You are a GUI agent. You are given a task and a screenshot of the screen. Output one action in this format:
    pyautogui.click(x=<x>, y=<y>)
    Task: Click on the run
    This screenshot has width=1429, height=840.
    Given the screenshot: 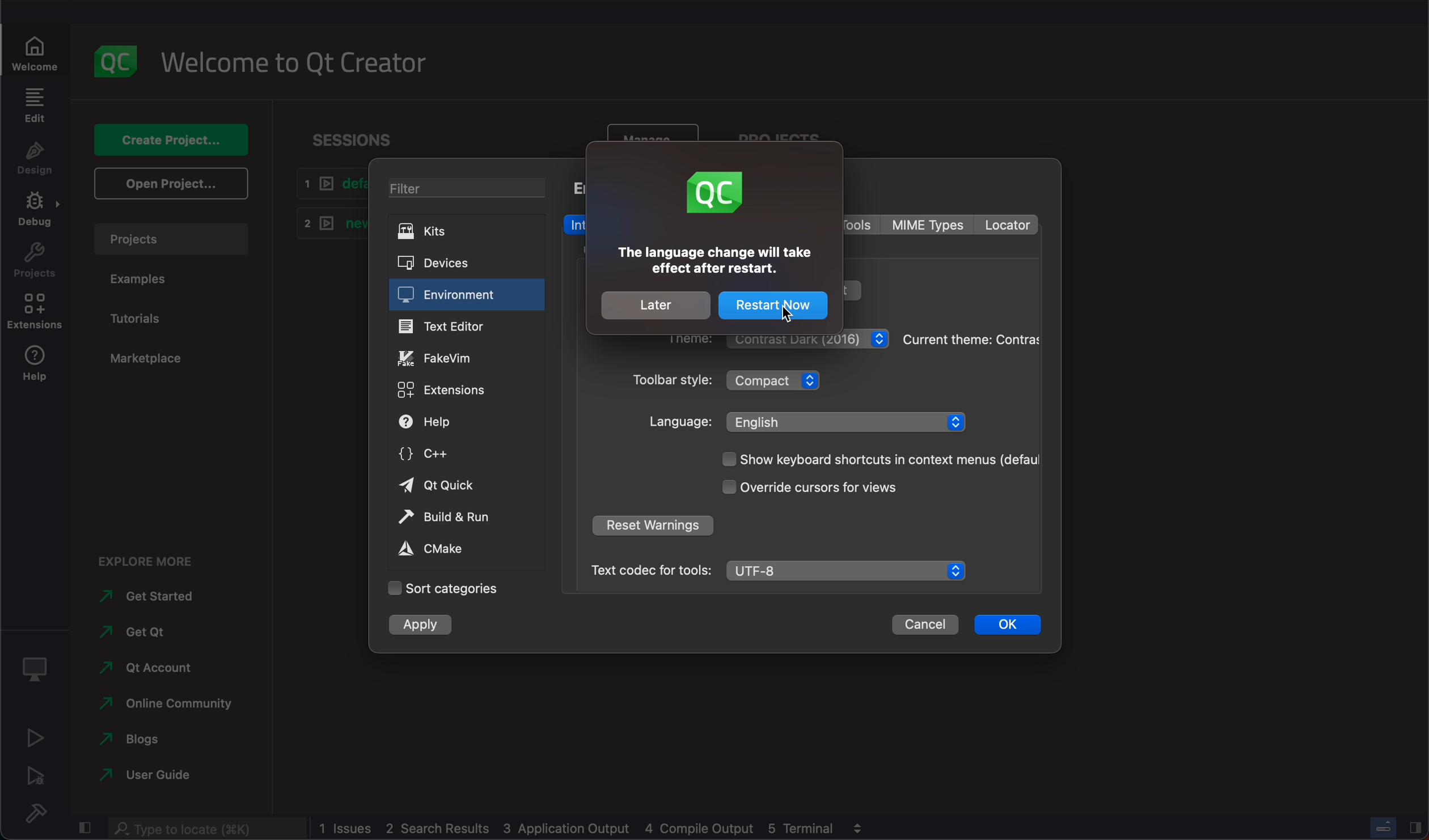 What is the action you would take?
    pyautogui.click(x=34, y=737)
    